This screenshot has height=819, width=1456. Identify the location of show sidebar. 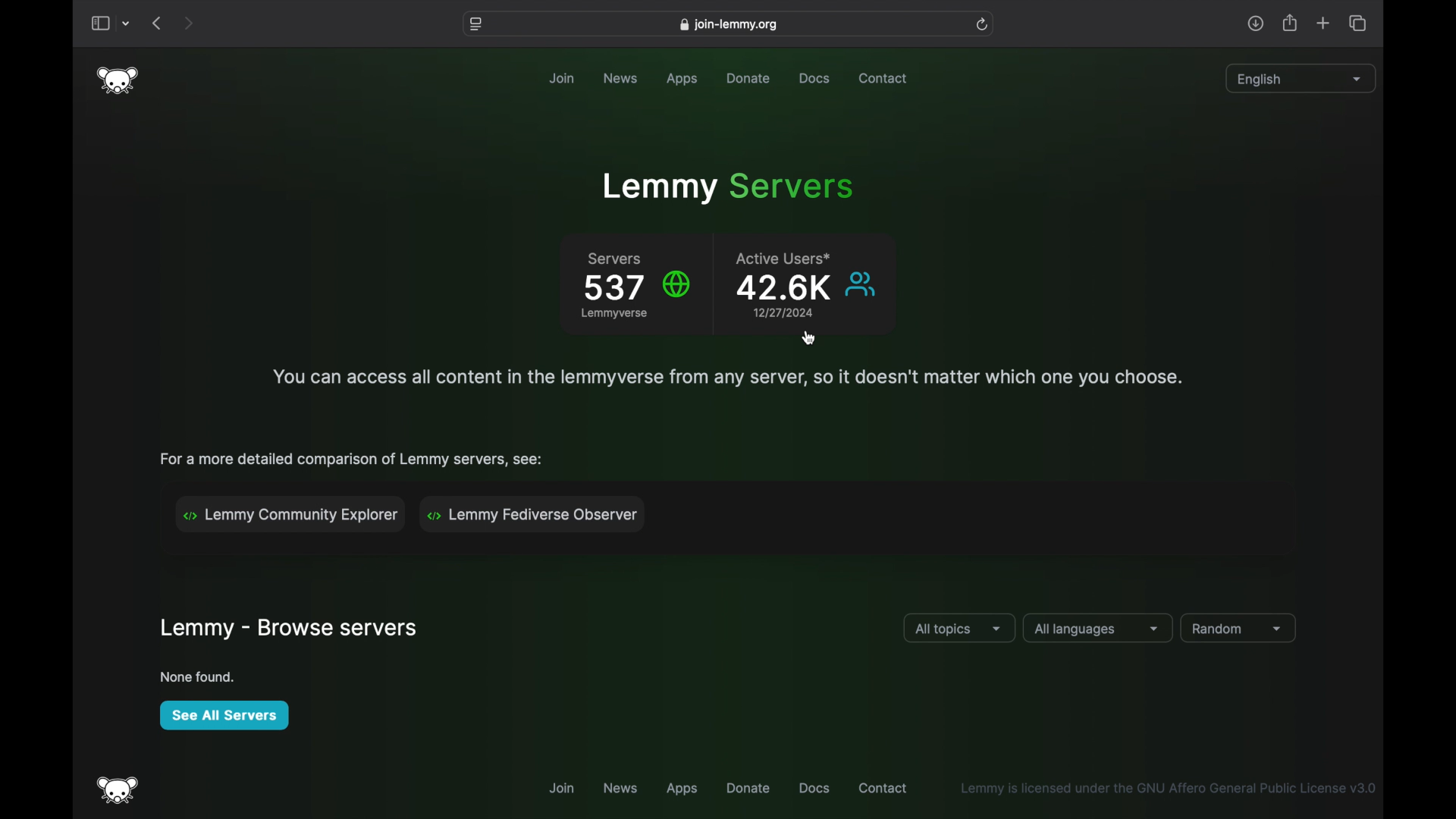
(99, 24).